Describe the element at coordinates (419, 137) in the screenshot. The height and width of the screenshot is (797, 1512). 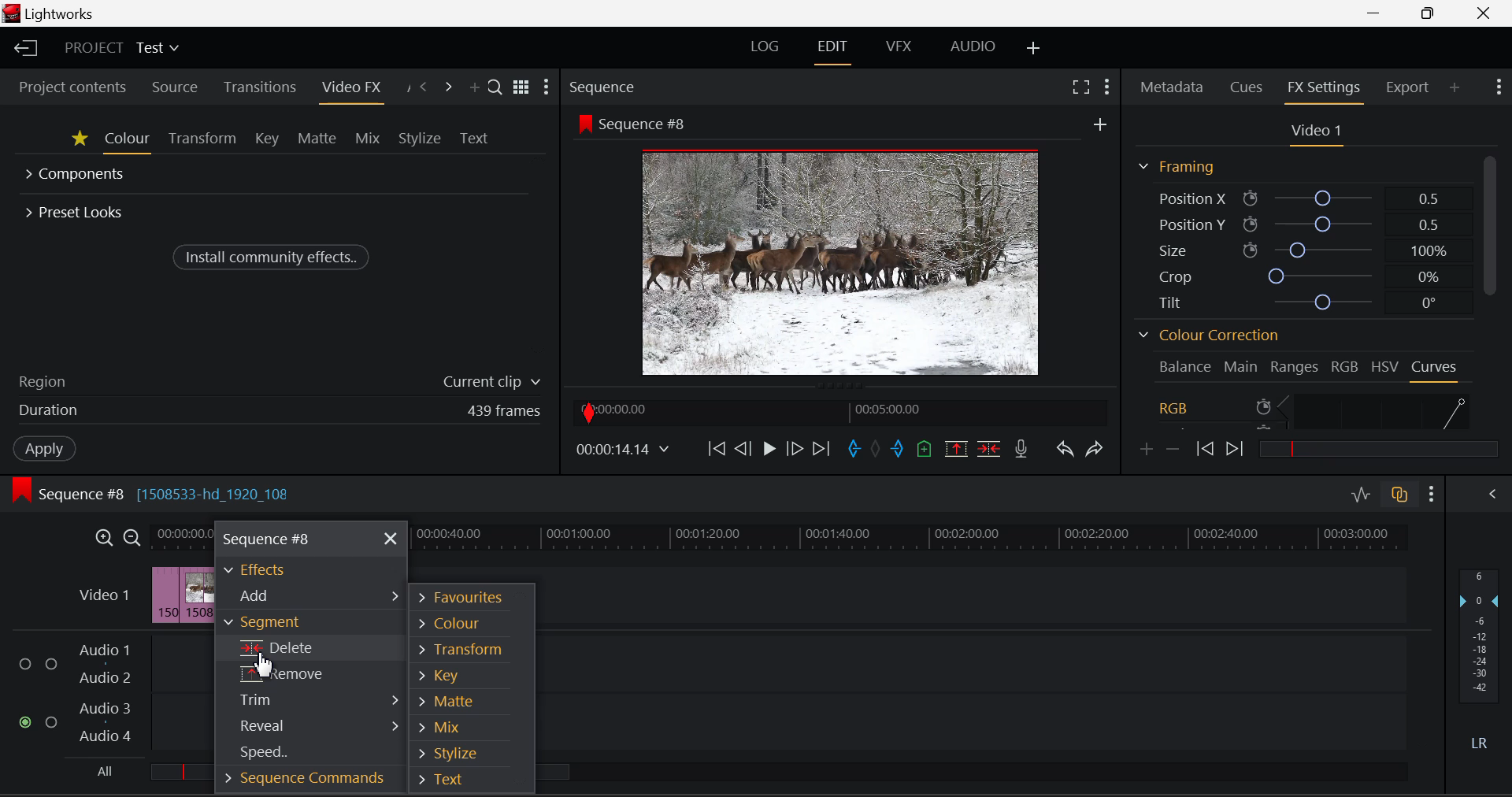
I see `Stylize` at that location.